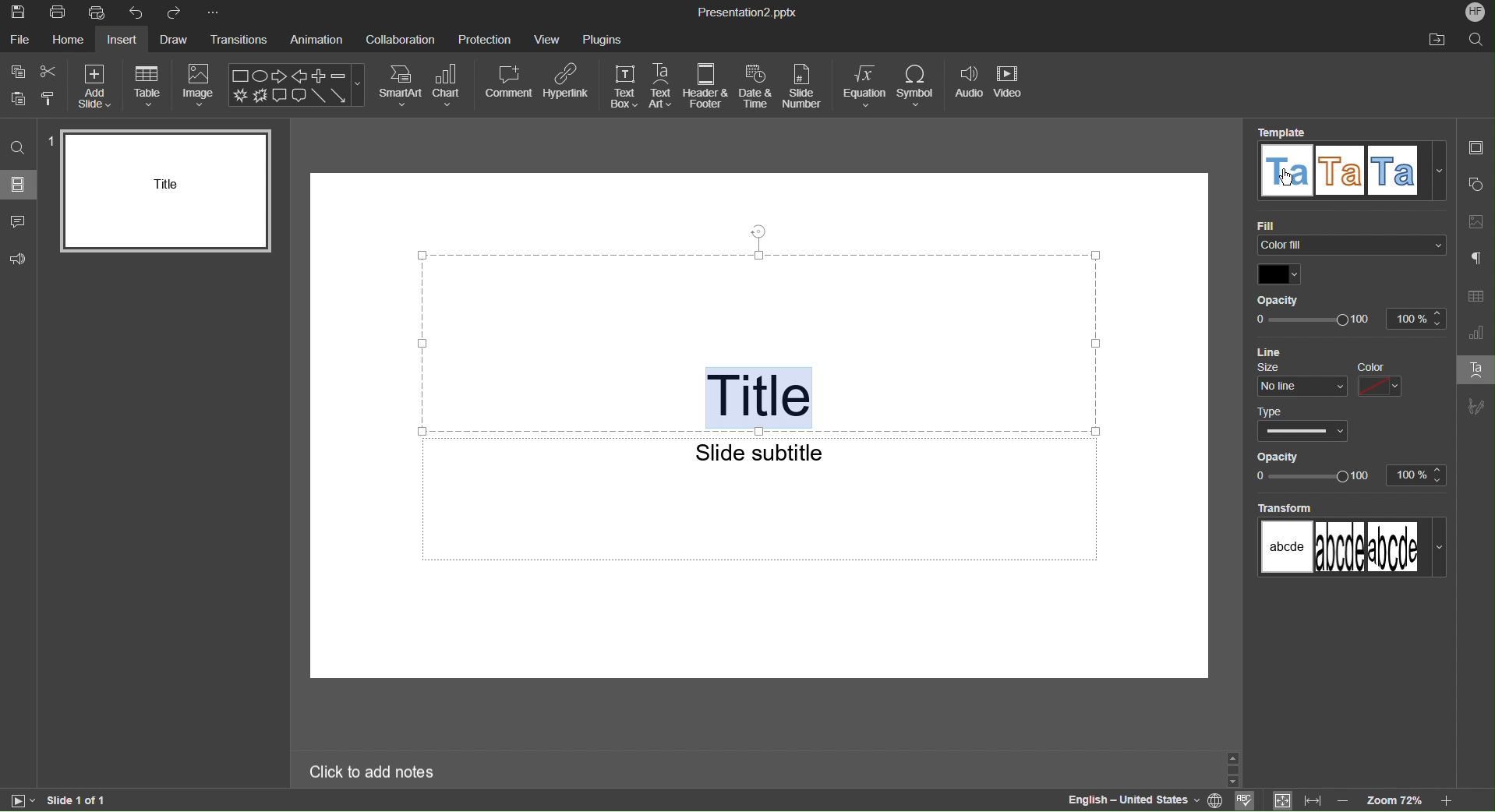 The height and width of the screenshot is (812, 1495). What do you see at coordinates (176, 12) in the screenshot?
I see `Redo` at bounding box center [176, 12].